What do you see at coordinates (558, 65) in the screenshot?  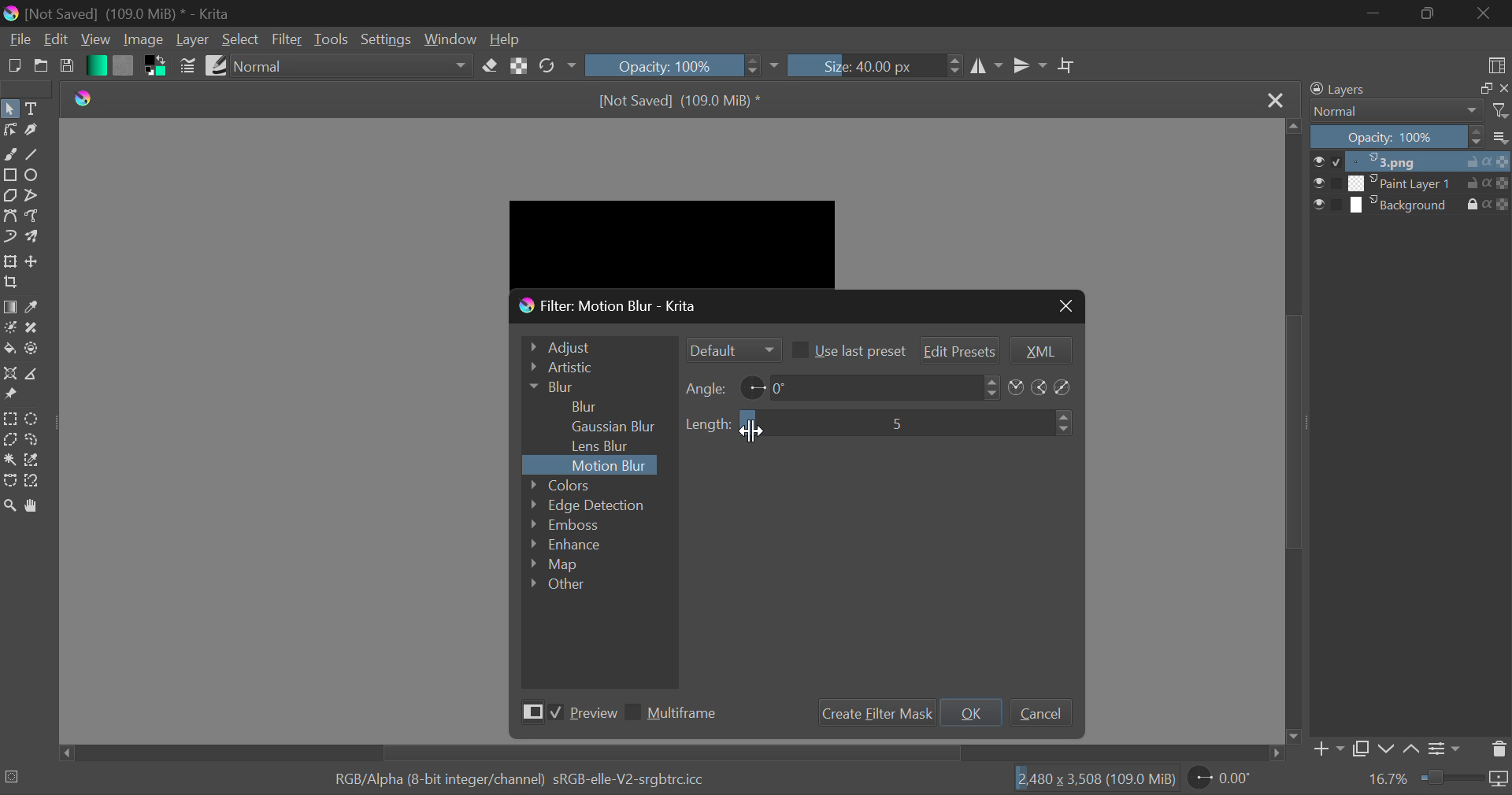 I see `Rotate` at bounding box center [558, 65].